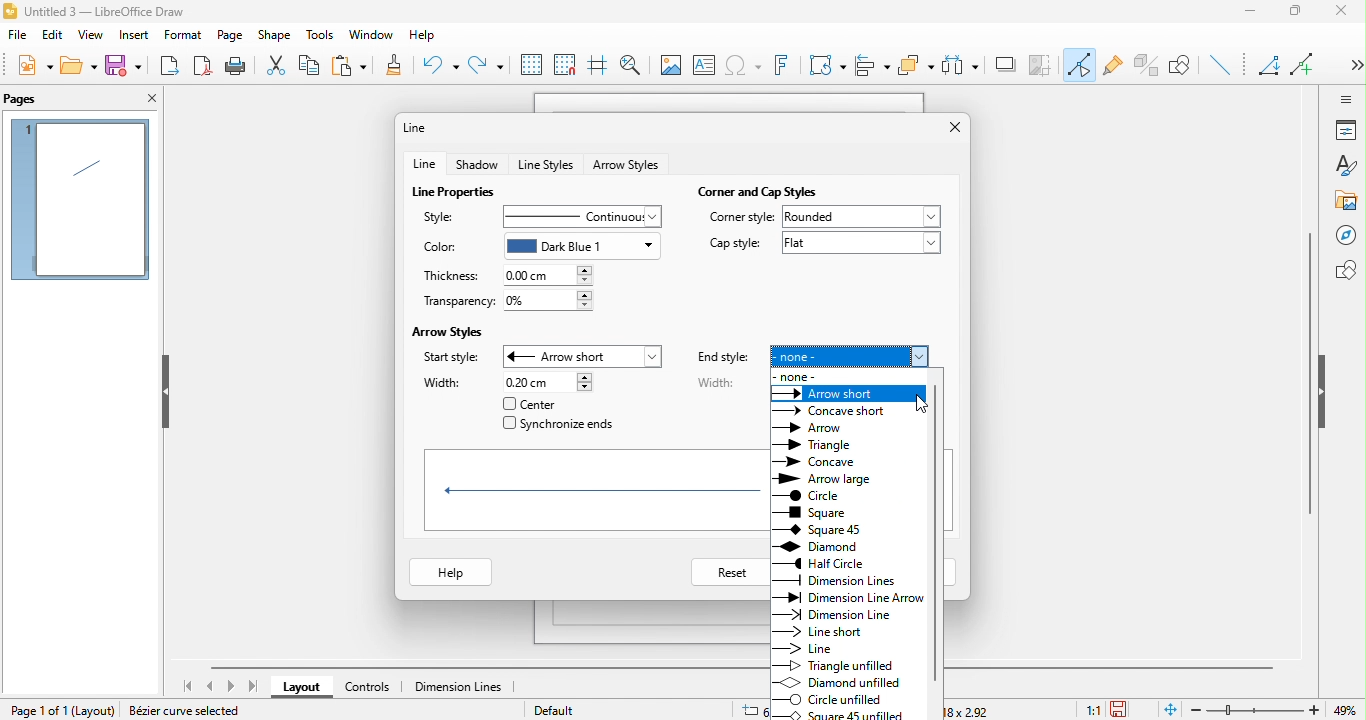 This screenshot has height=720, width=1366. I want to click on vertical scroll bar, so click(1309, 372).